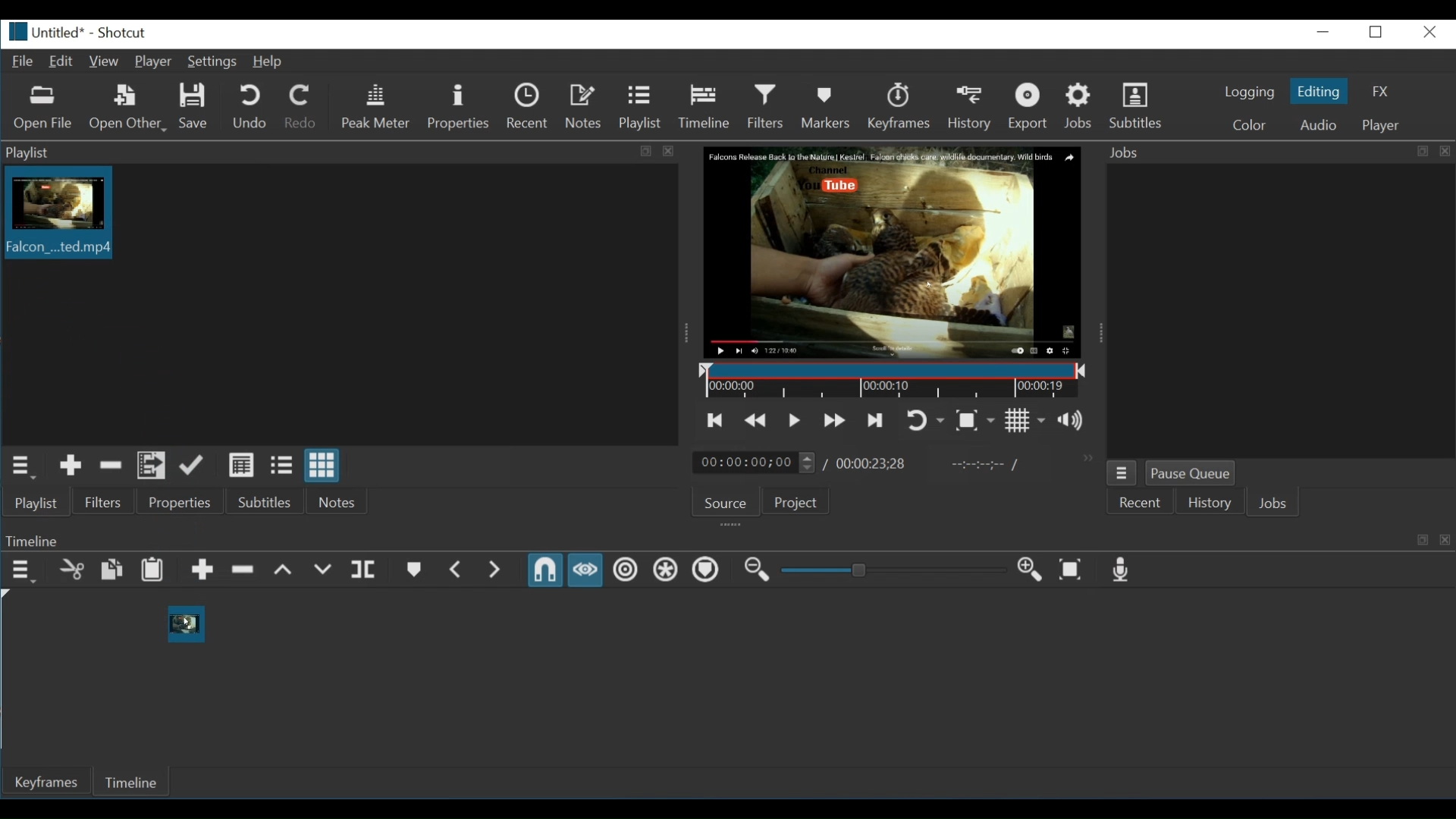 Image resolution: width=1456 pixels, height=819 pixels. Describe the element at coordinates (413, 570) in the screenshot. I see `Create or edit marker` at that location.